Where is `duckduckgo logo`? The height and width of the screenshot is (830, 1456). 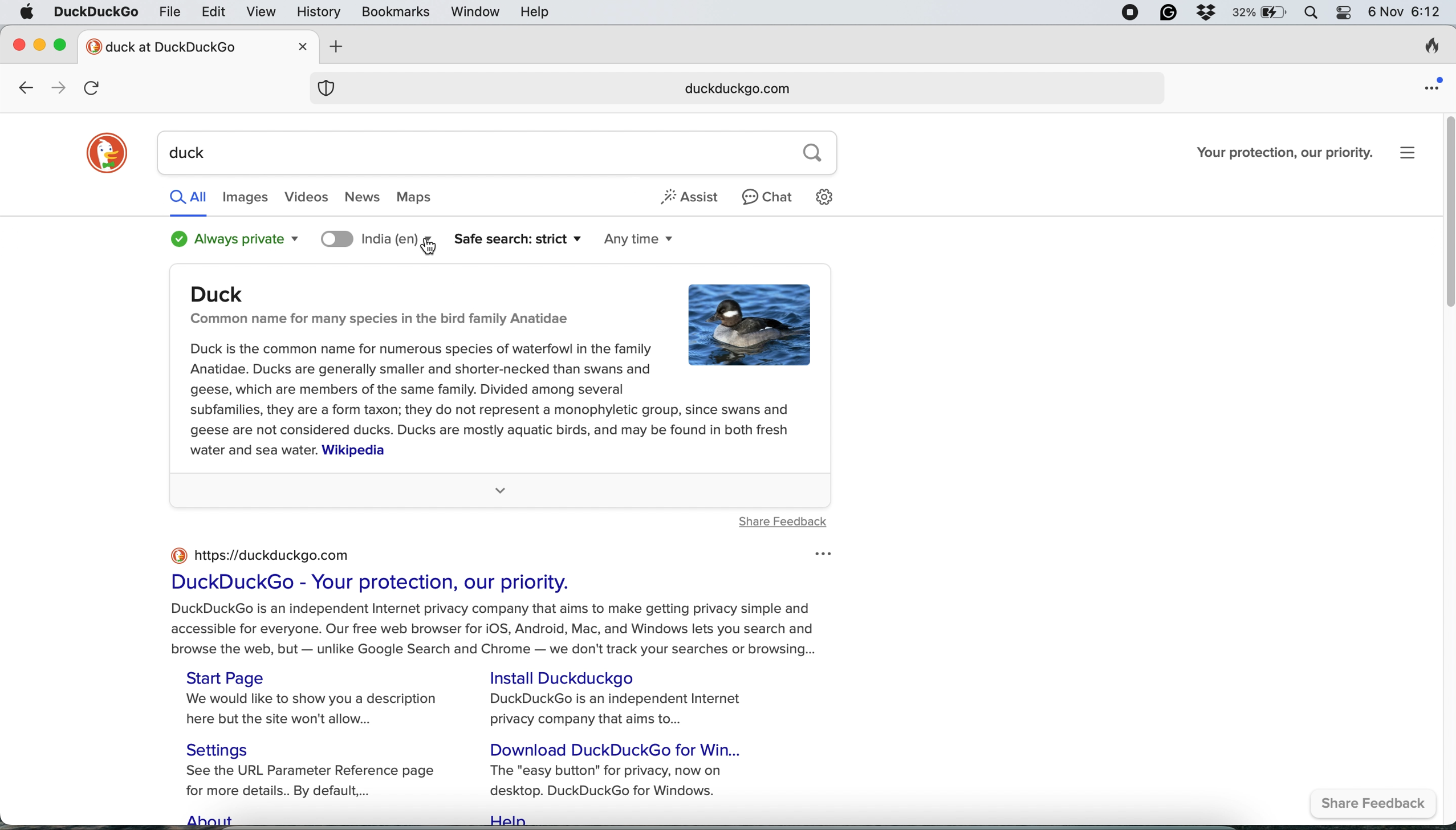 duckduckgo logo is located at coordinates (107, 154).